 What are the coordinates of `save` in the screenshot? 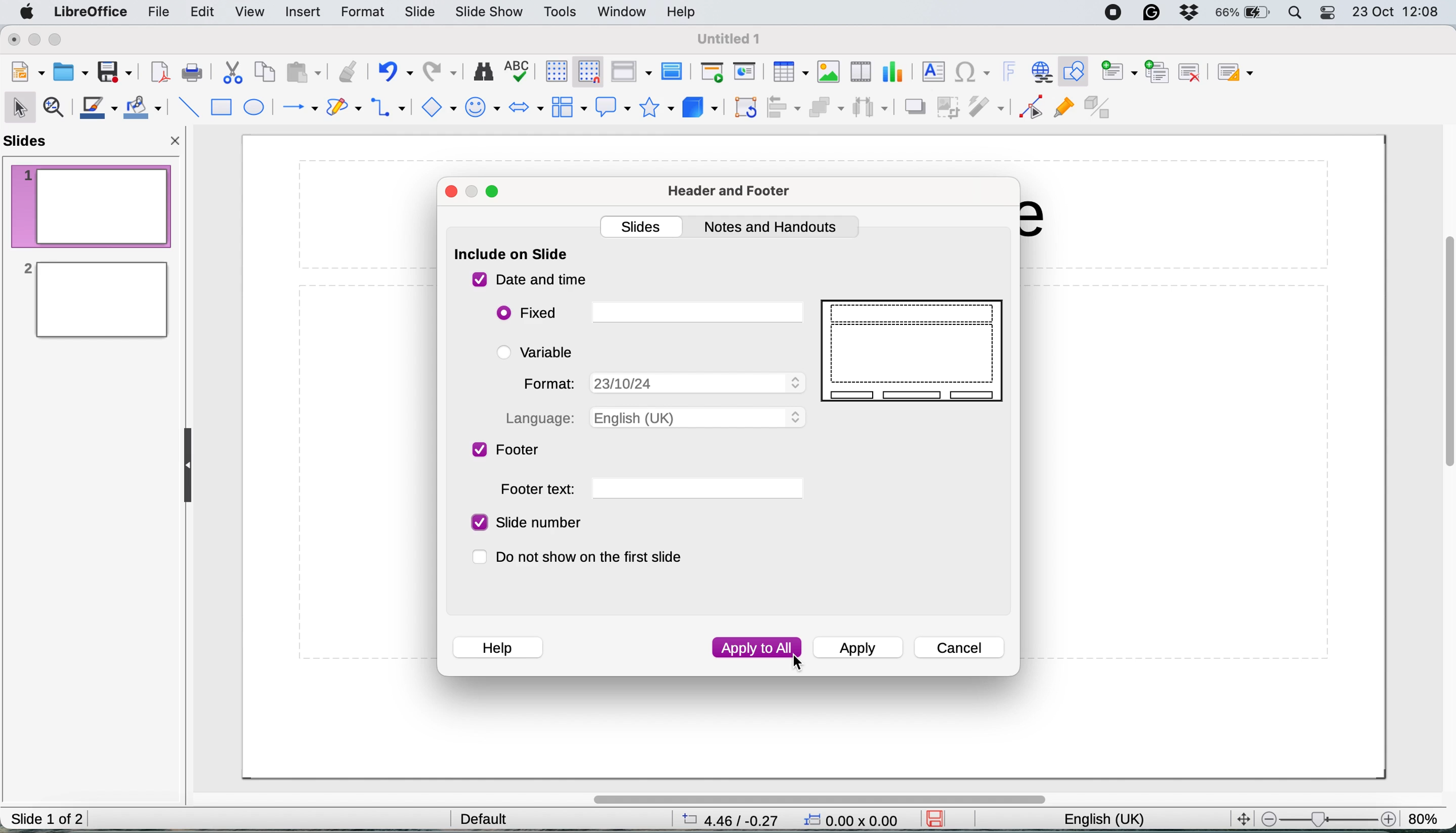 It's located at (115, 72).